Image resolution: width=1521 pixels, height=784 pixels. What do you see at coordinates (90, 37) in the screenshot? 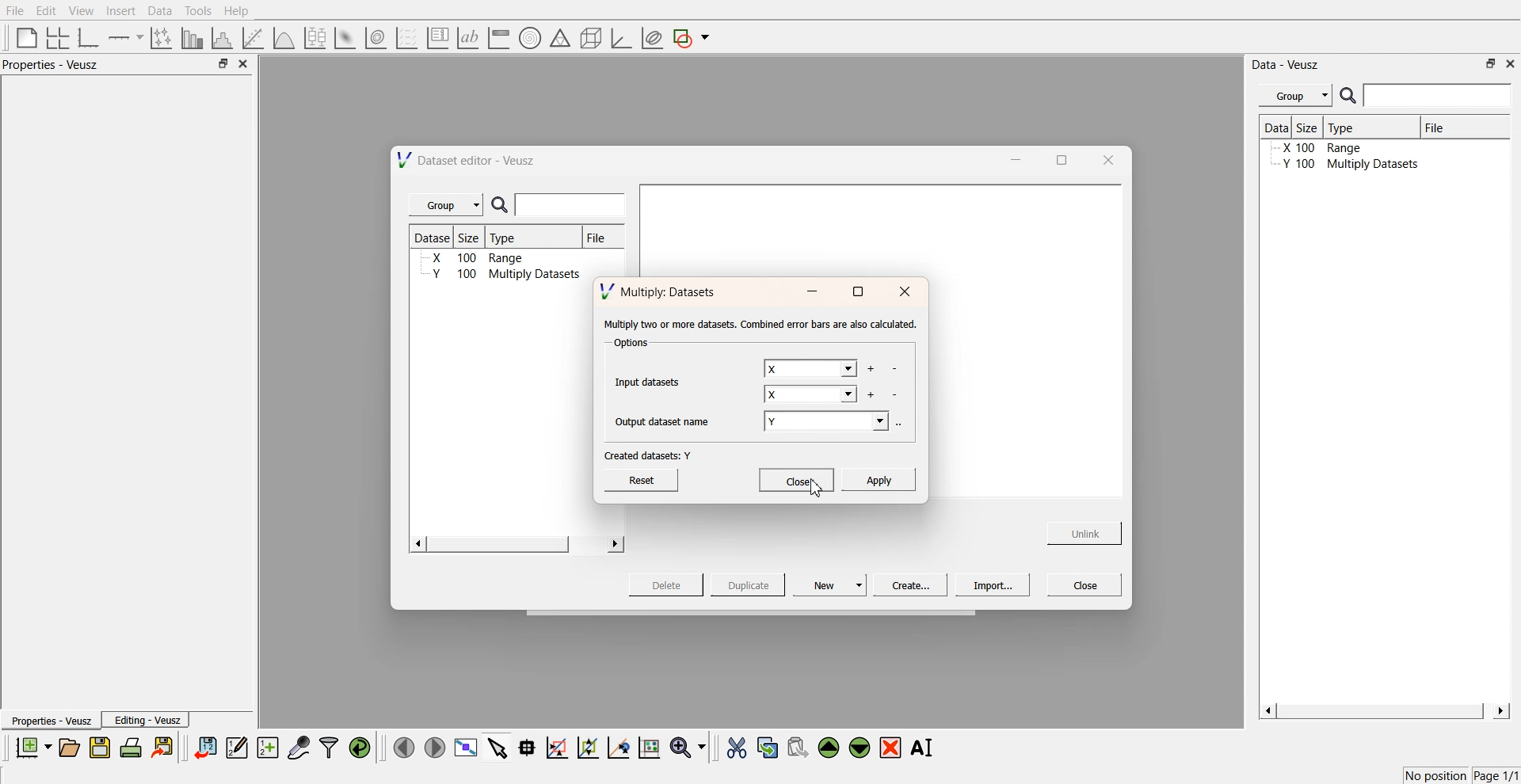
I see `base graphs` at bounding box center [90, 37].